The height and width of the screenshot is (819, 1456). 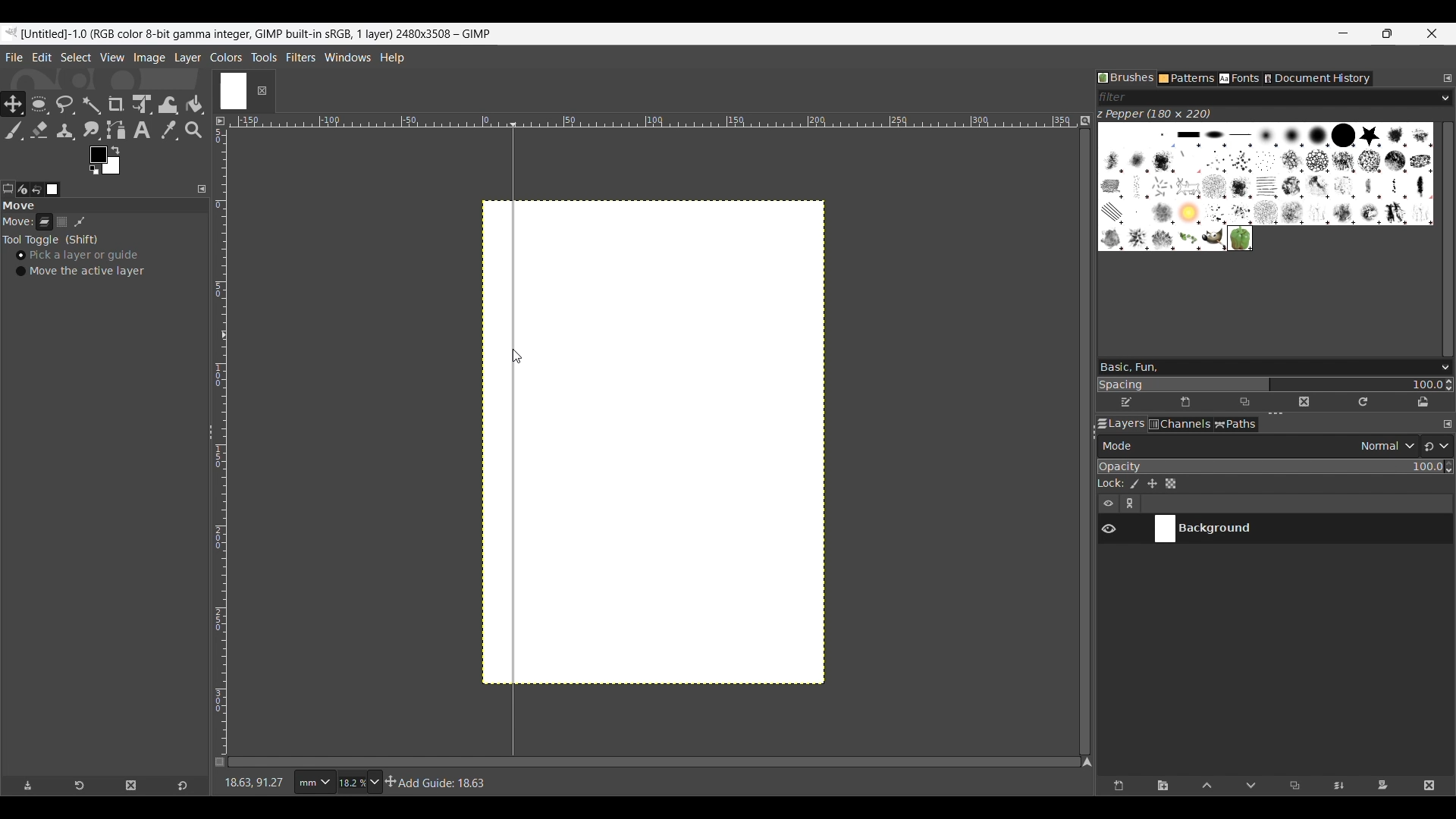 I want to click on Select menu, so click(x=76, y=57).